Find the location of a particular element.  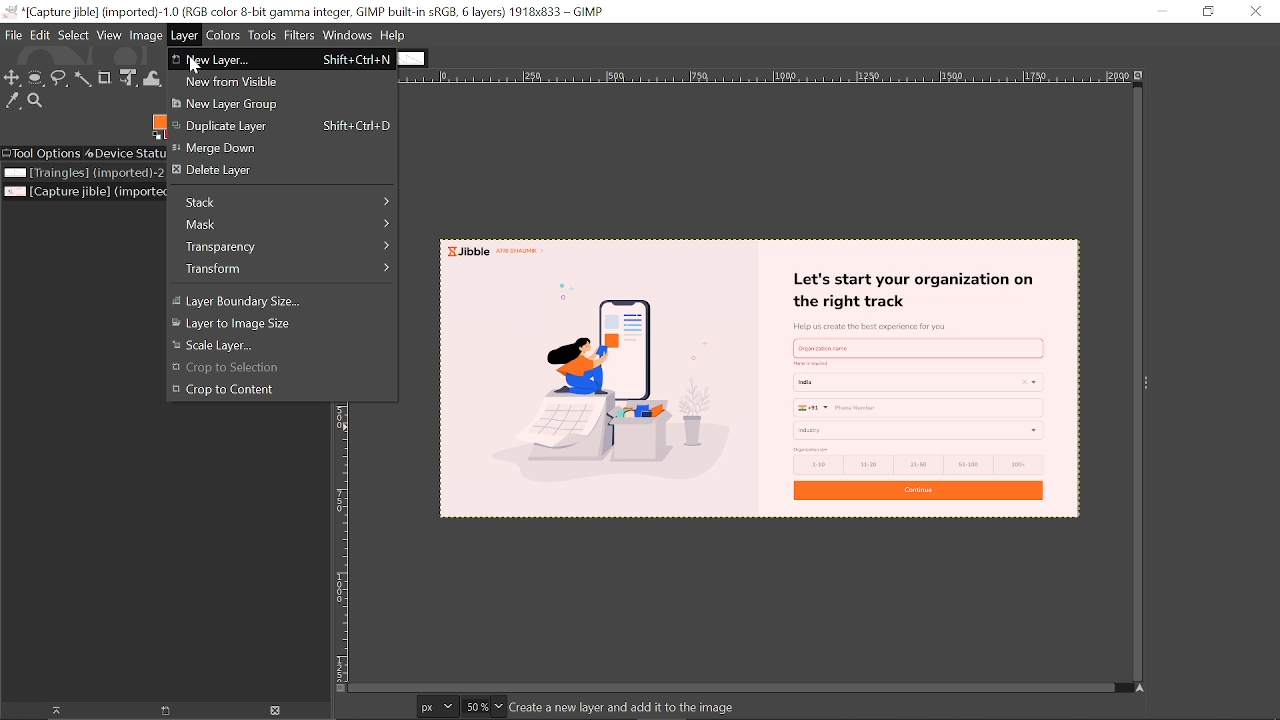

Device status is located at coordinates (127, 154).